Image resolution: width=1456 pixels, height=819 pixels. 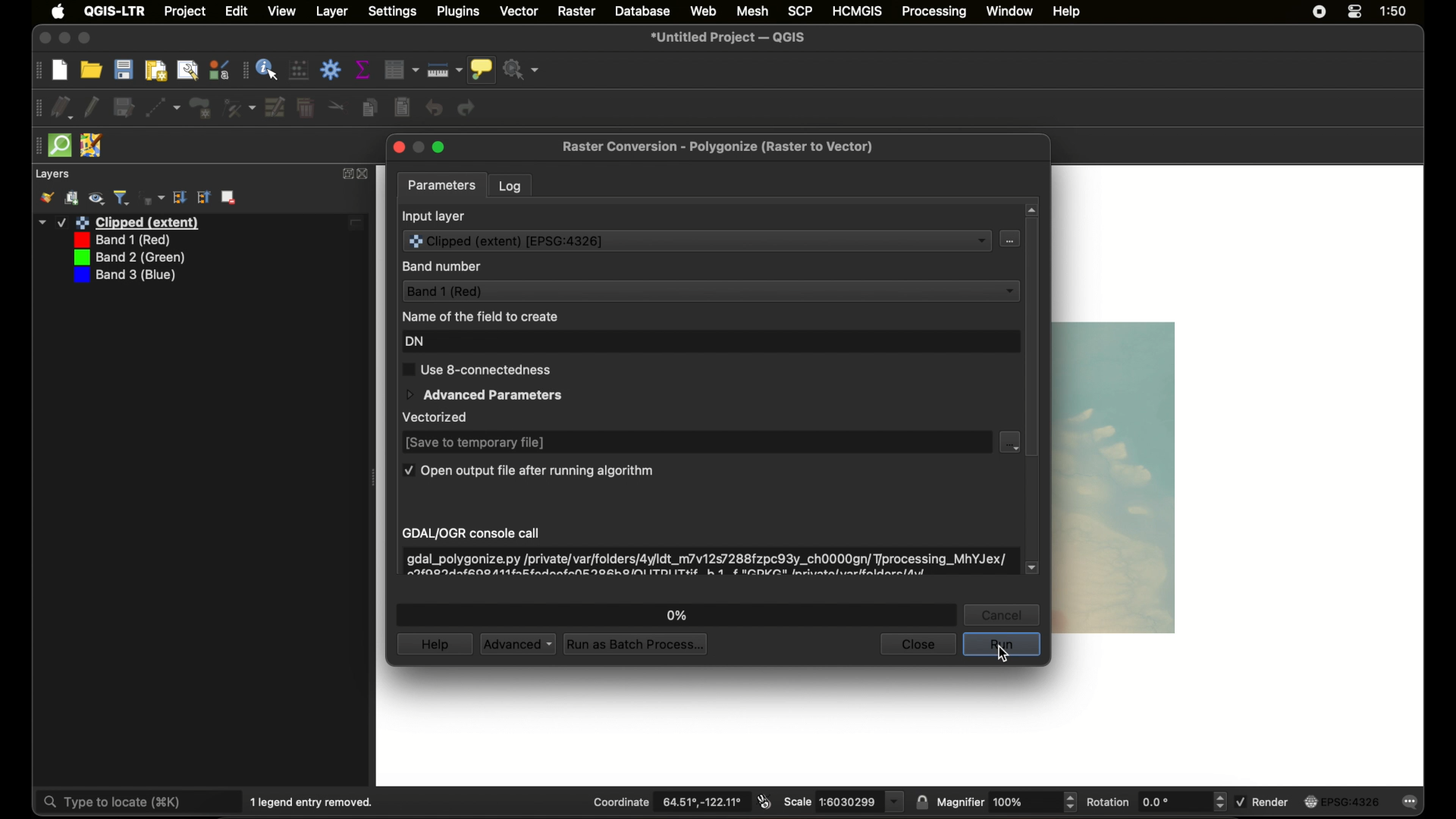 I want to click on raster conversion - polygonize (raster to vector), so click(x=717, y=146).